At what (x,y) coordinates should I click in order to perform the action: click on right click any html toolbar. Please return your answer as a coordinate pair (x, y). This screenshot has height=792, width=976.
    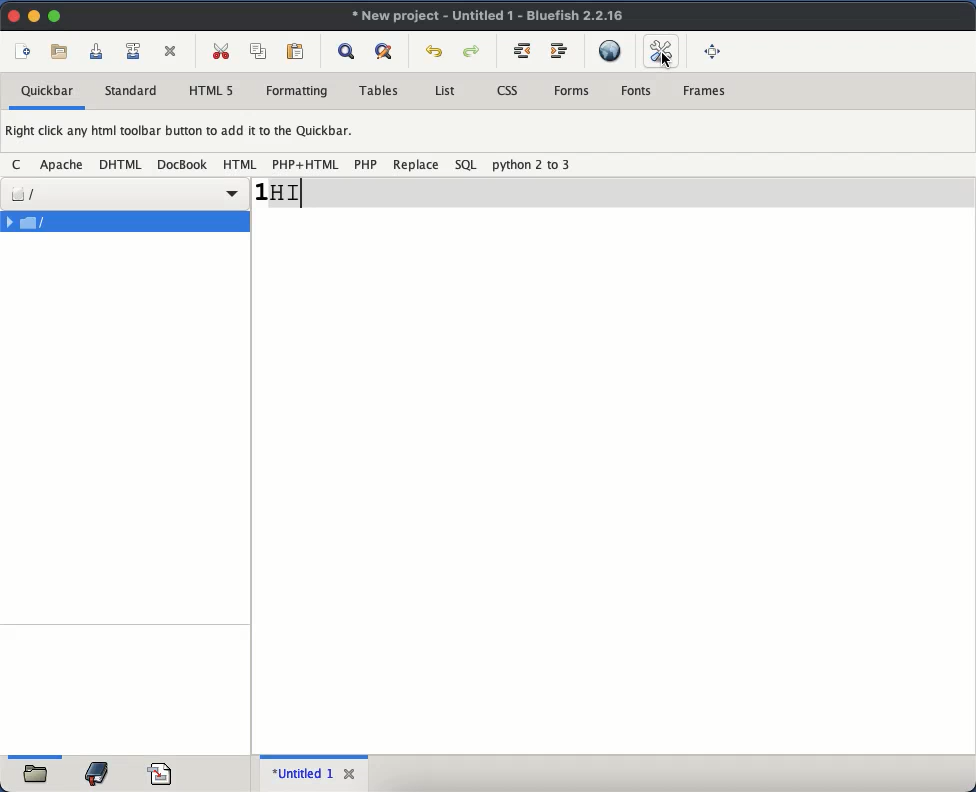
    Looking at the image, I should click on (181, 131).